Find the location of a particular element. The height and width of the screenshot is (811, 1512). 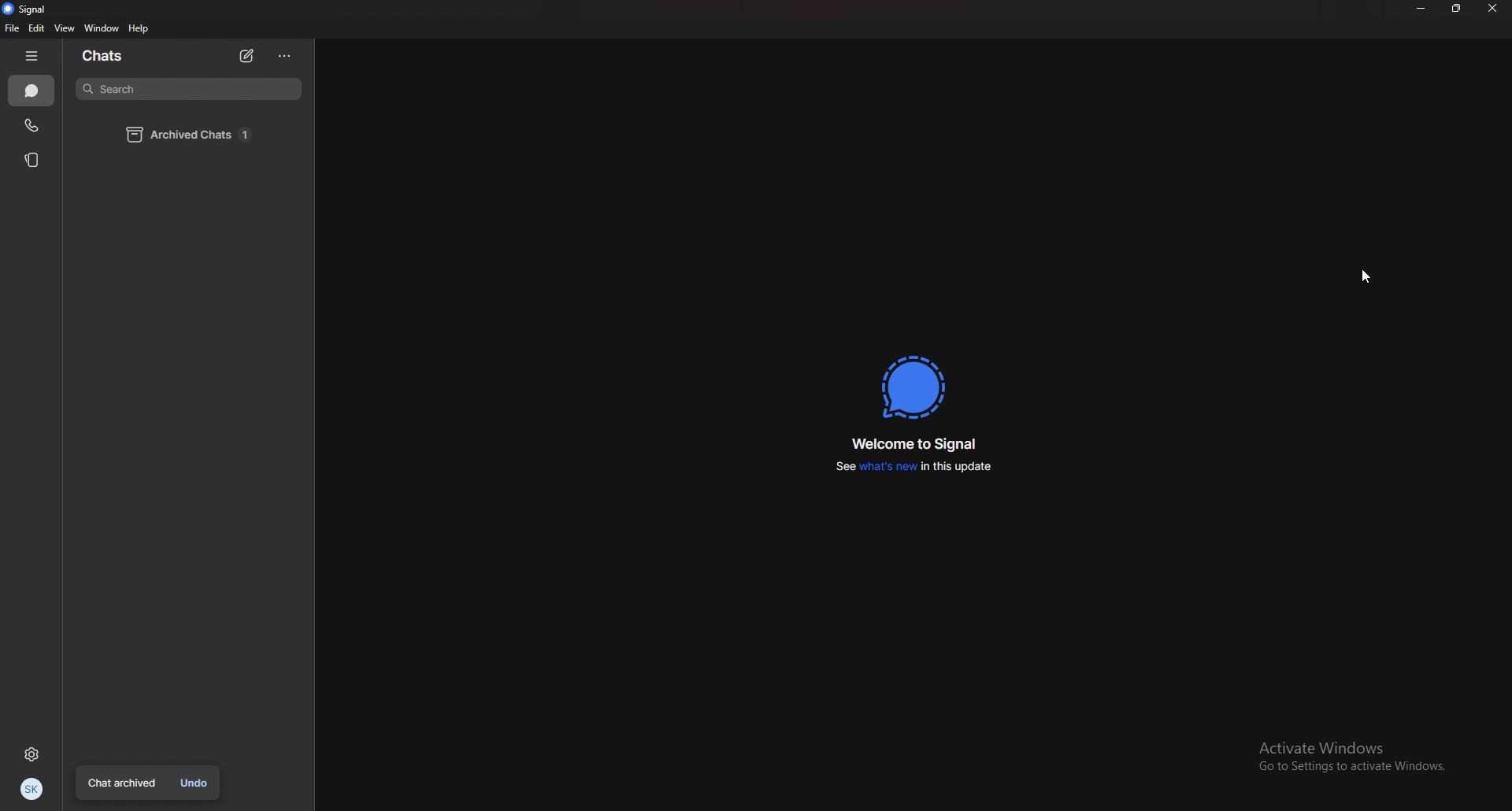

view is located at coordinates (65, 28).